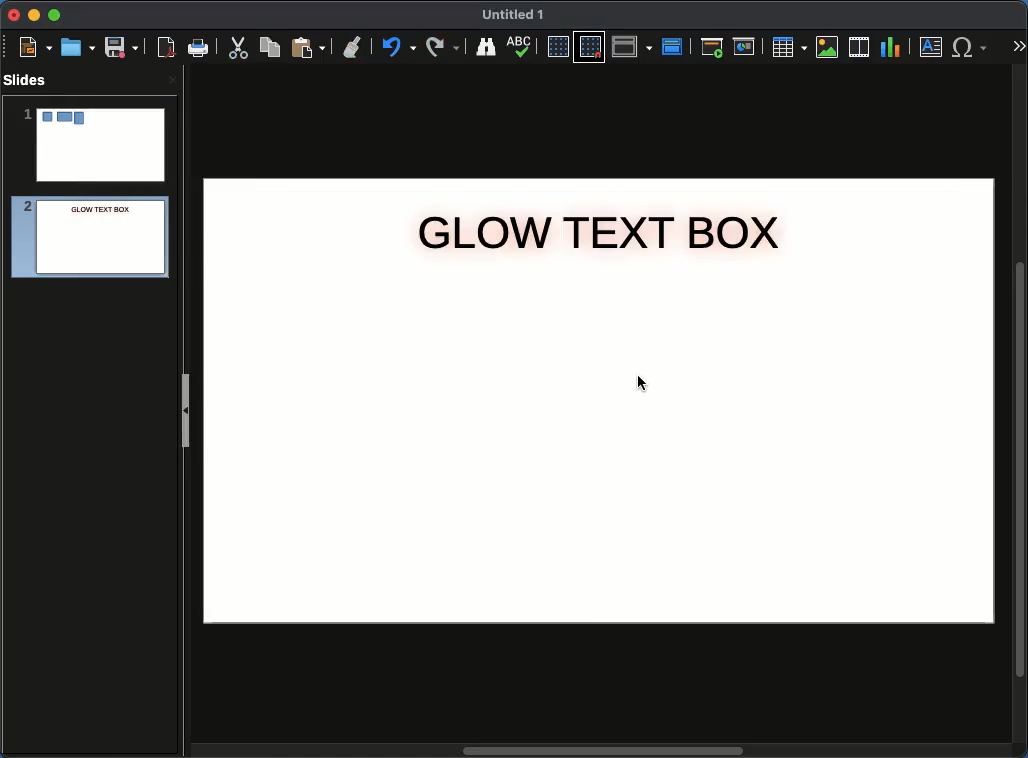 The height and width of the screenshot is (758, 1028). Describe the element at coordinates (890, 48) in the screenshot. I see `Chart` at that location.